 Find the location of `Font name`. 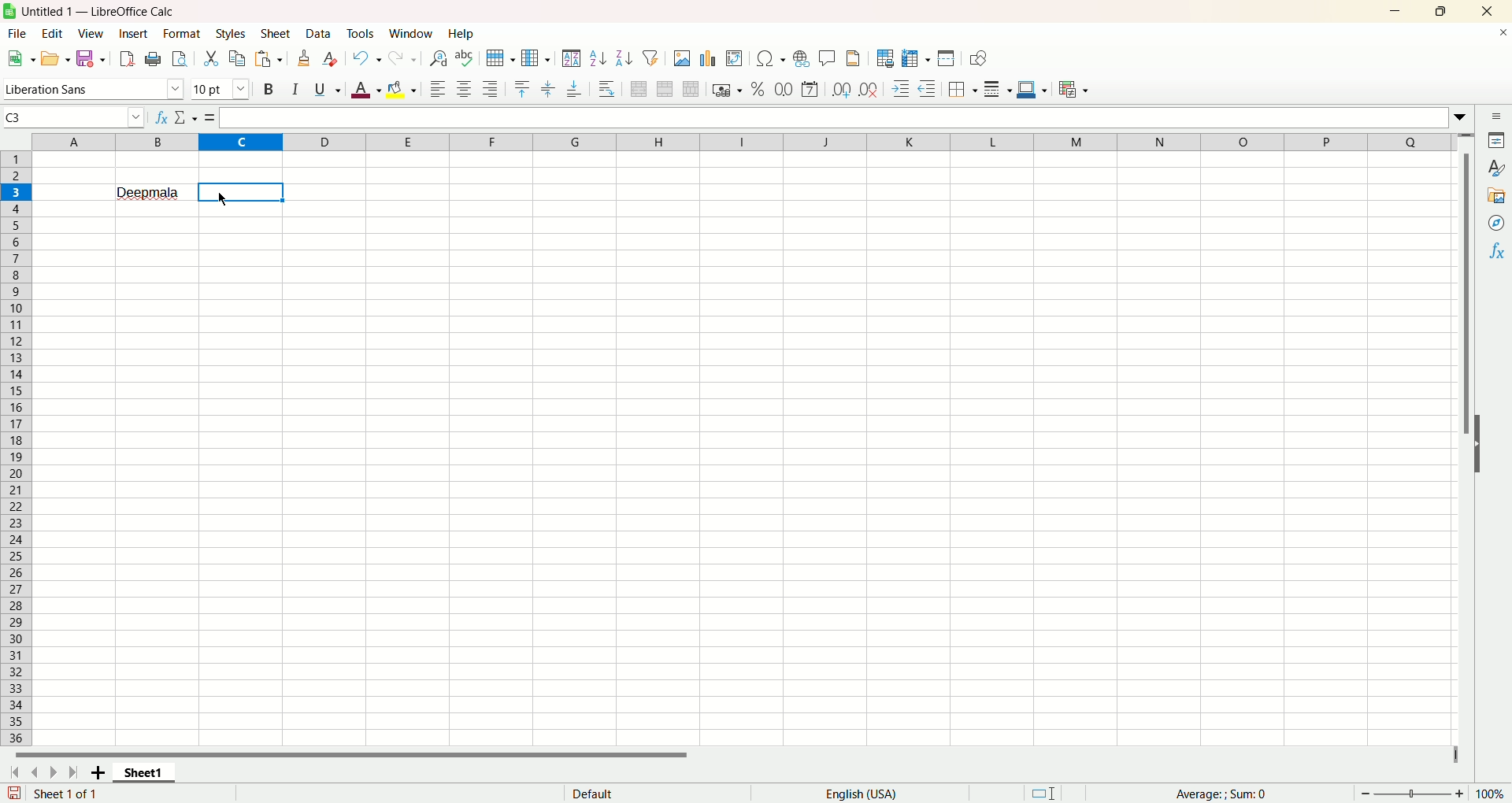

Font name is located at coordinates (95, 88).